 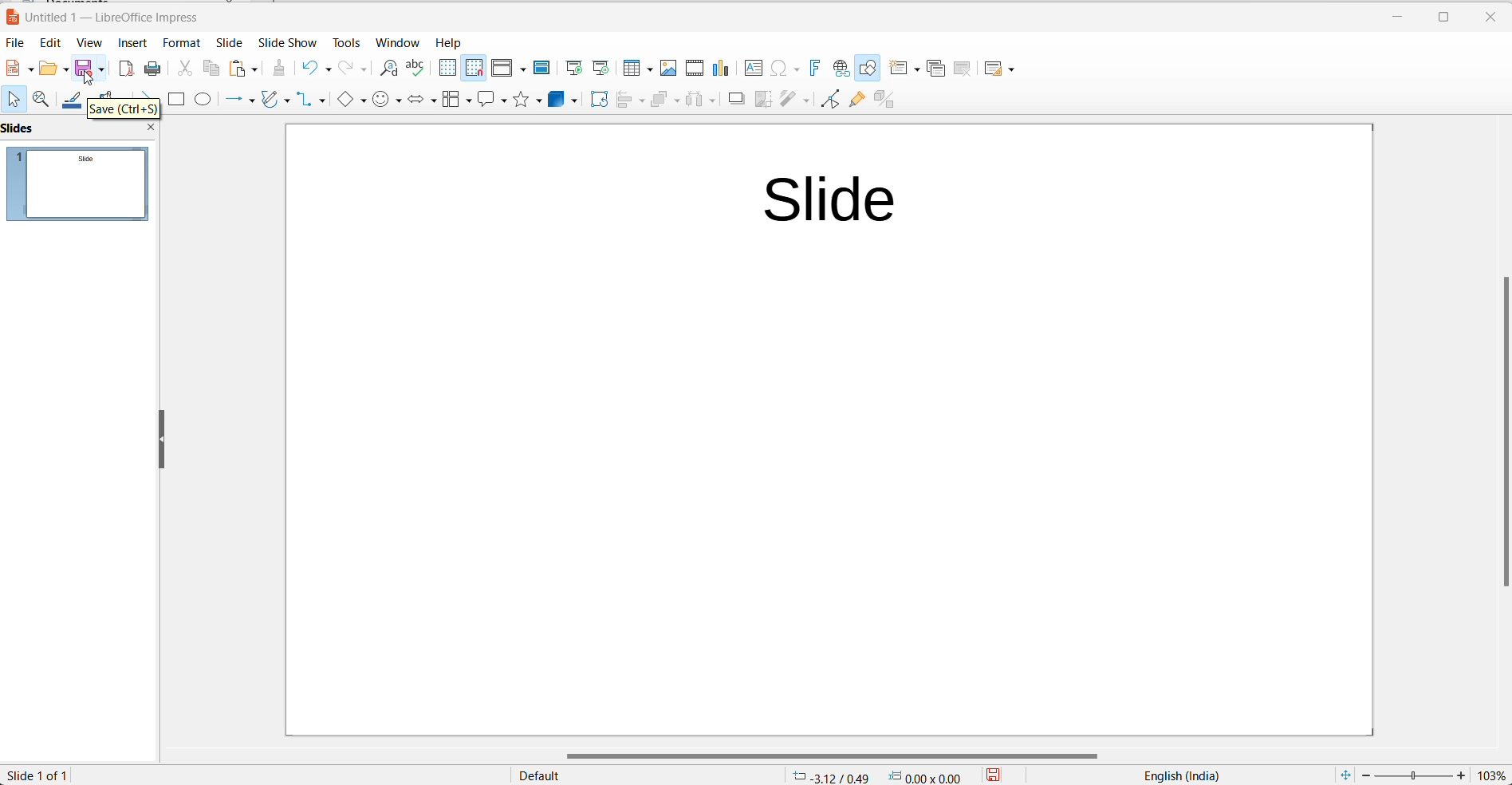 I want to click on Redo, so click(x=354, y=69).